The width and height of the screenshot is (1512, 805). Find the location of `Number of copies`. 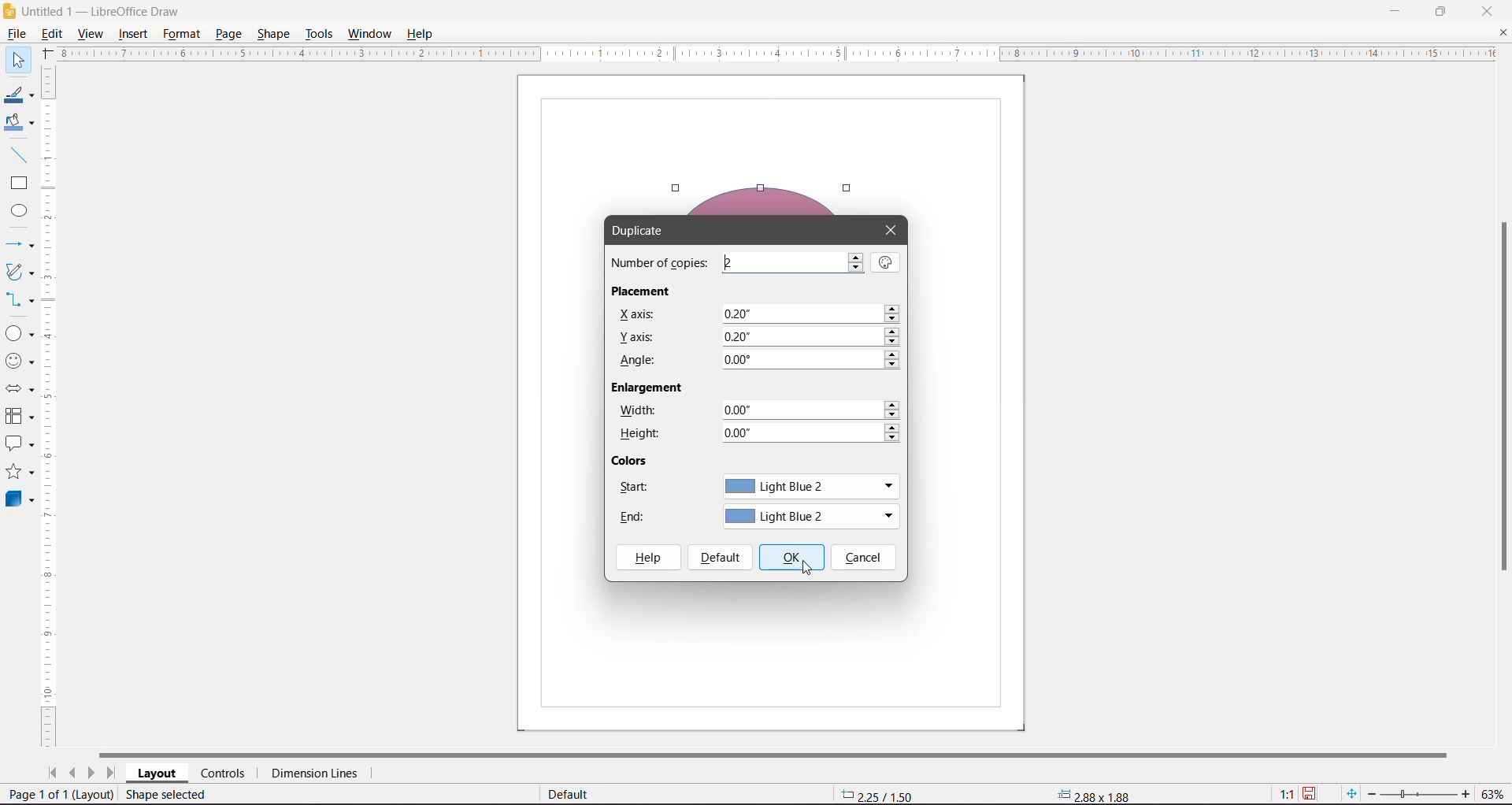

Number of copies is located at coordinates (660, 263).